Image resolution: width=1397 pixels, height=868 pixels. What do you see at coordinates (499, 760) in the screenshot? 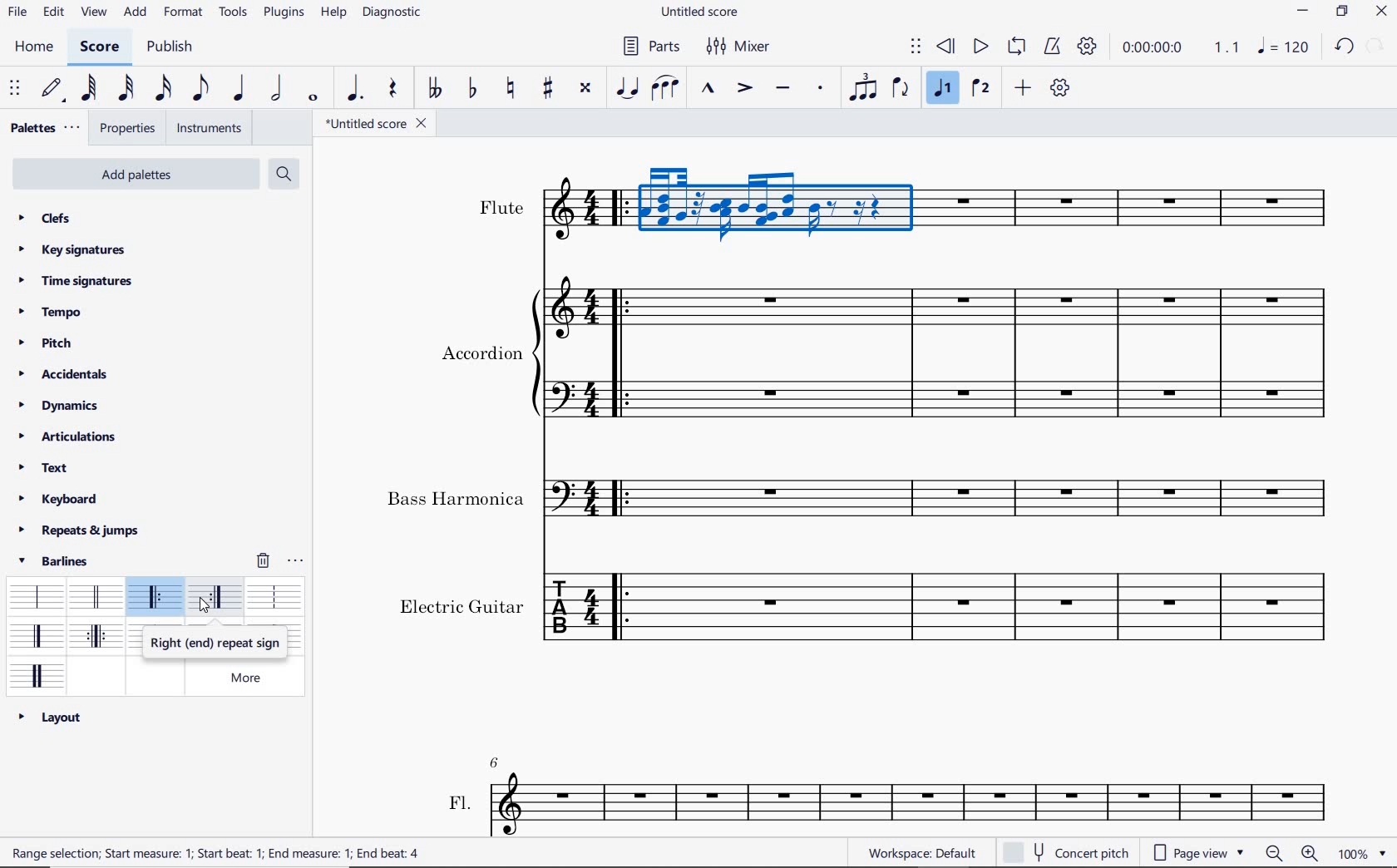
I see `7` at bounding box center [499, 760].